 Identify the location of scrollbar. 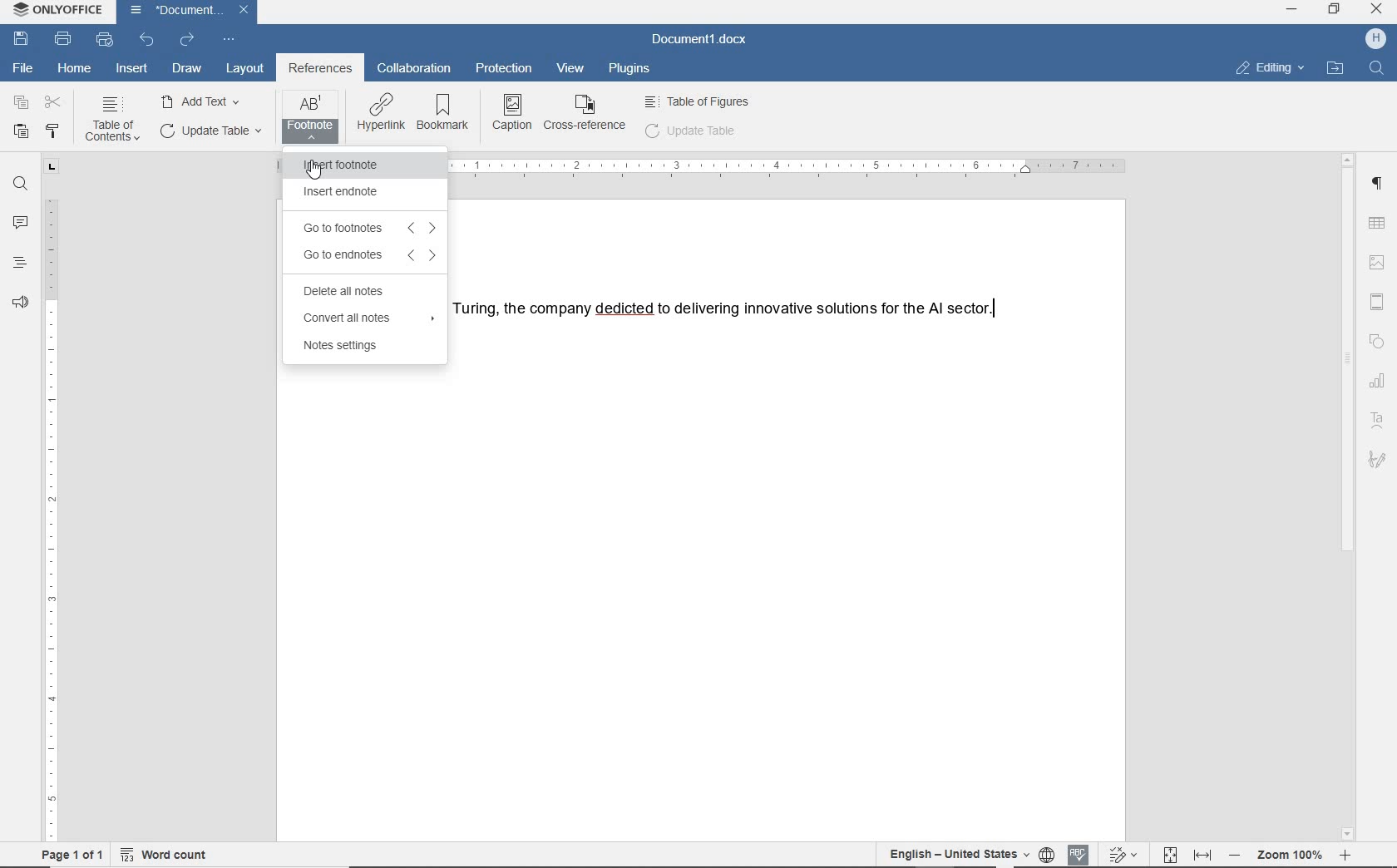
(1352, 497).